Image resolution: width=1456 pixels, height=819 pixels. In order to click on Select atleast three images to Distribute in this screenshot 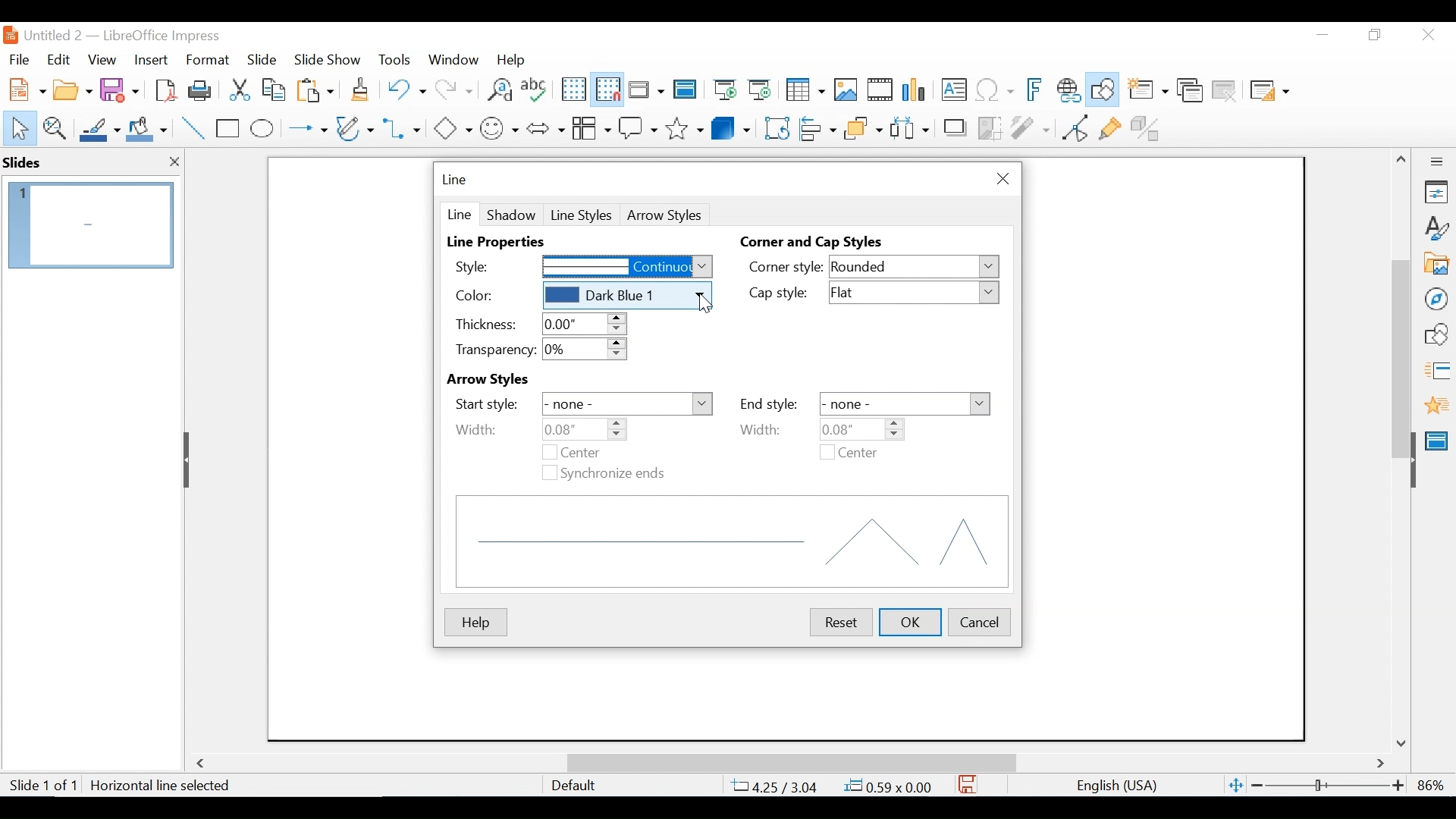, I will do `click(909, 127)`.